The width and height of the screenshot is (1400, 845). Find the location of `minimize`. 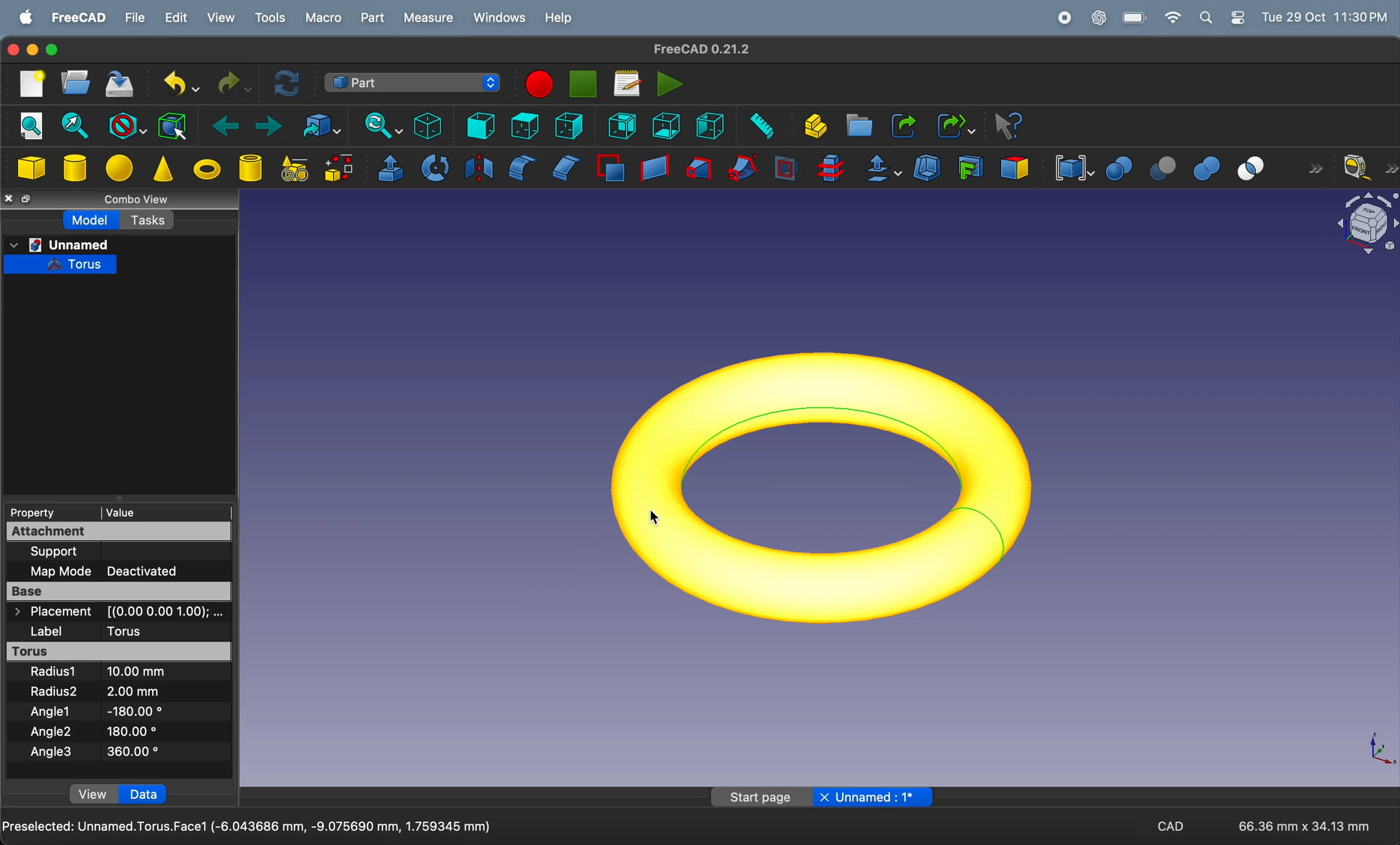

minimize is located at coordinates (33, 49).